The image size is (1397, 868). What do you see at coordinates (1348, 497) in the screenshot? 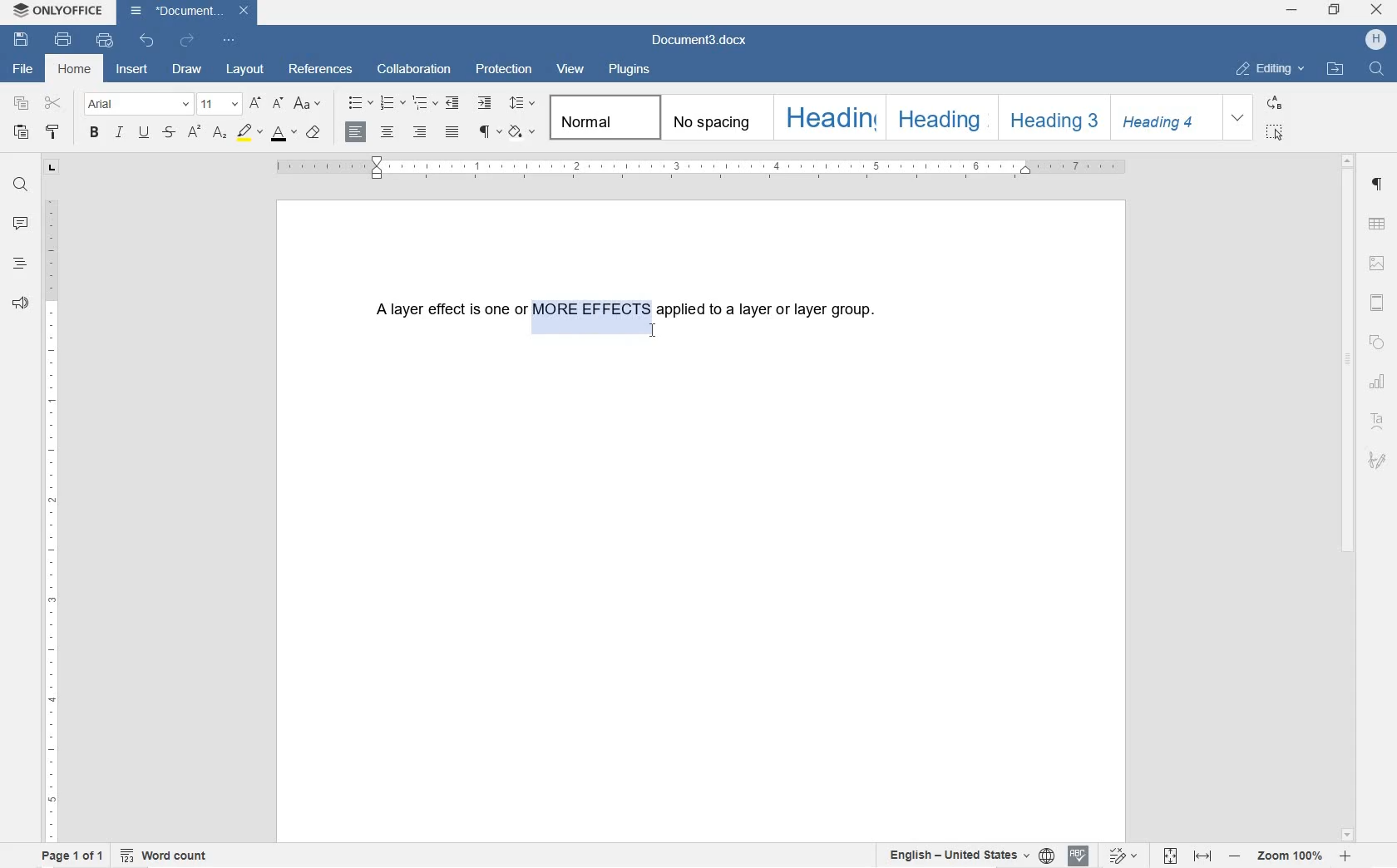
I see `SCROLLBAR` at bounding box center [1348, 497].